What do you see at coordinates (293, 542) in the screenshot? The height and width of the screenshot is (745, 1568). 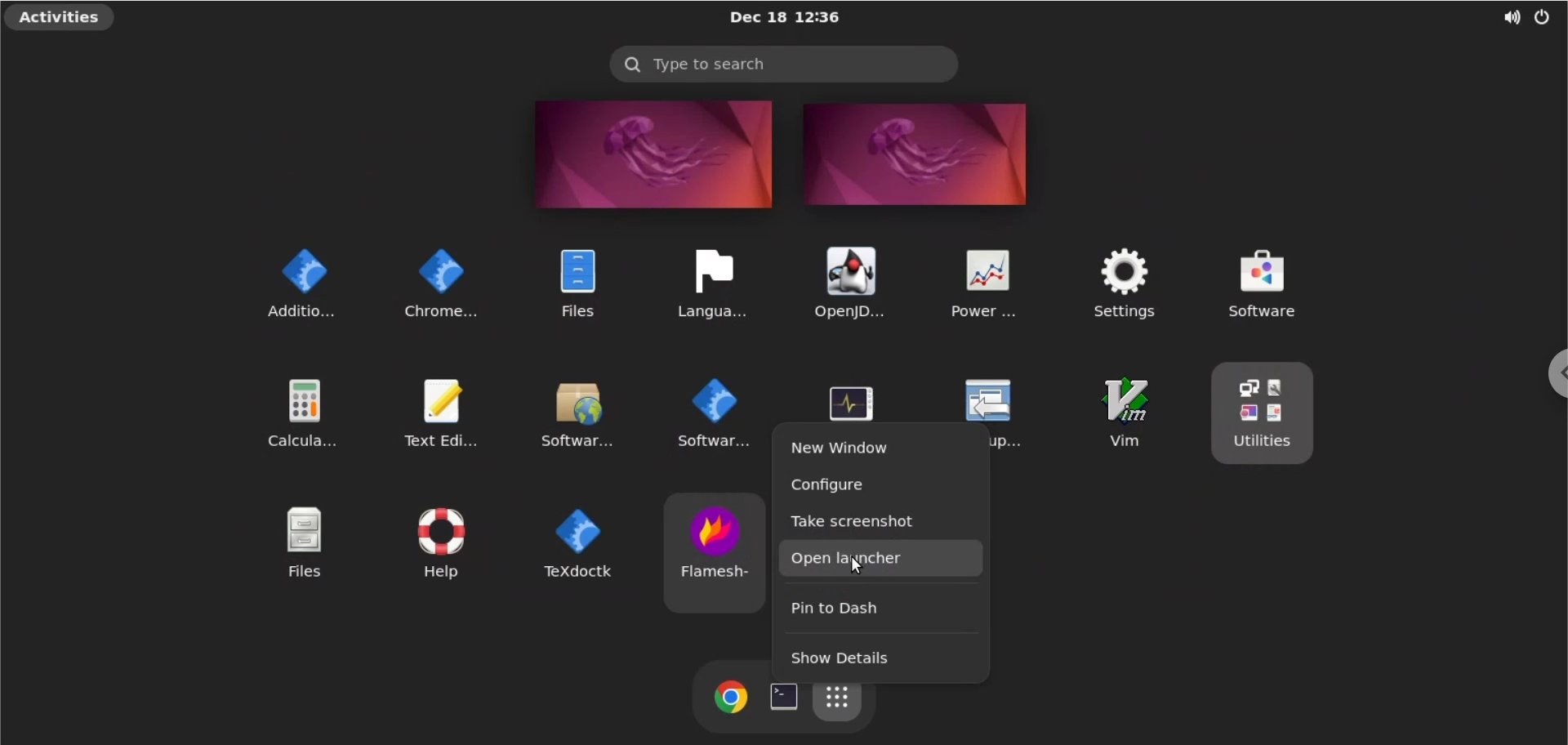 I see `files` at bounding box center [293, 542].